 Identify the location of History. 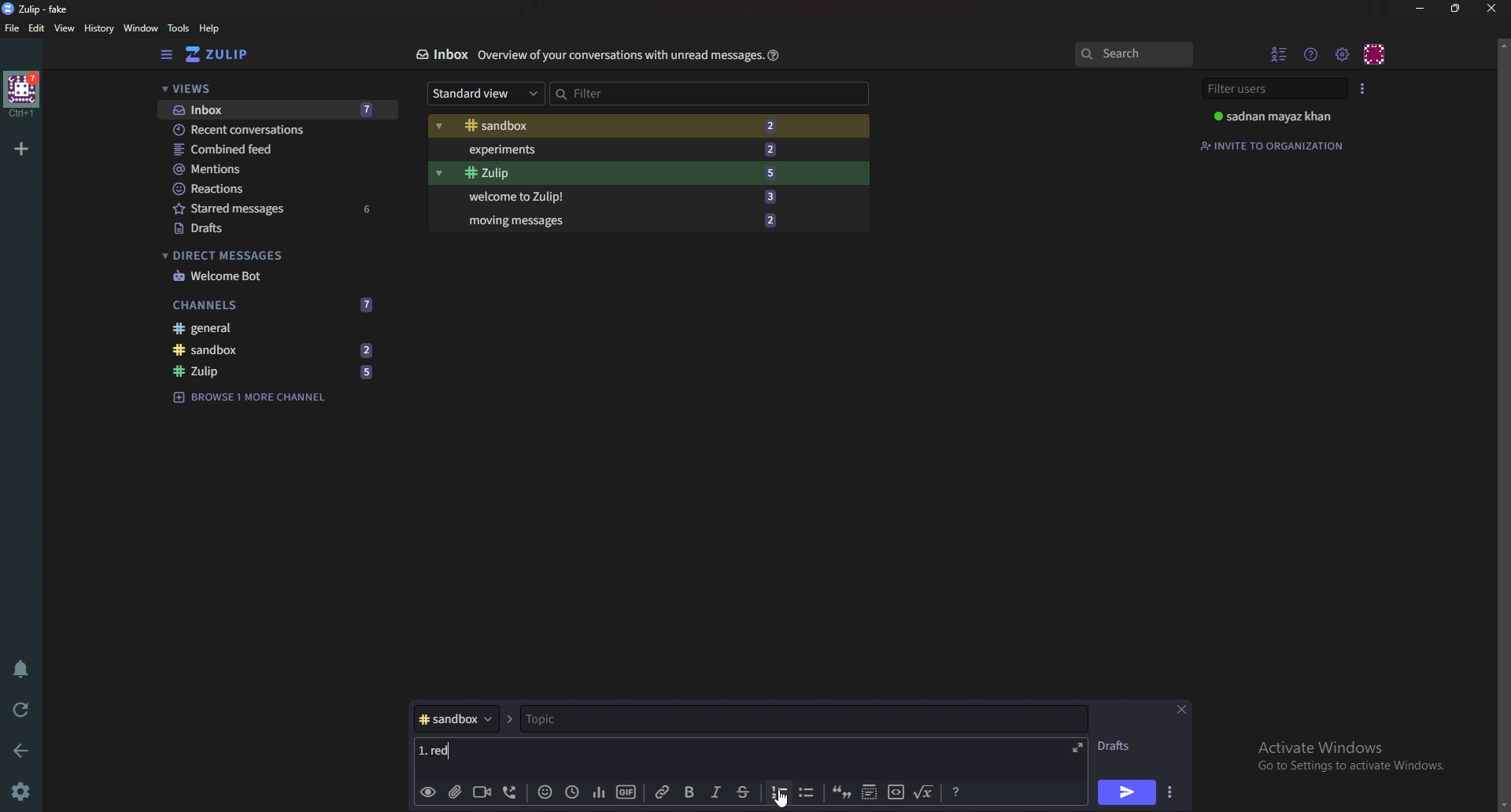
(98, 28).